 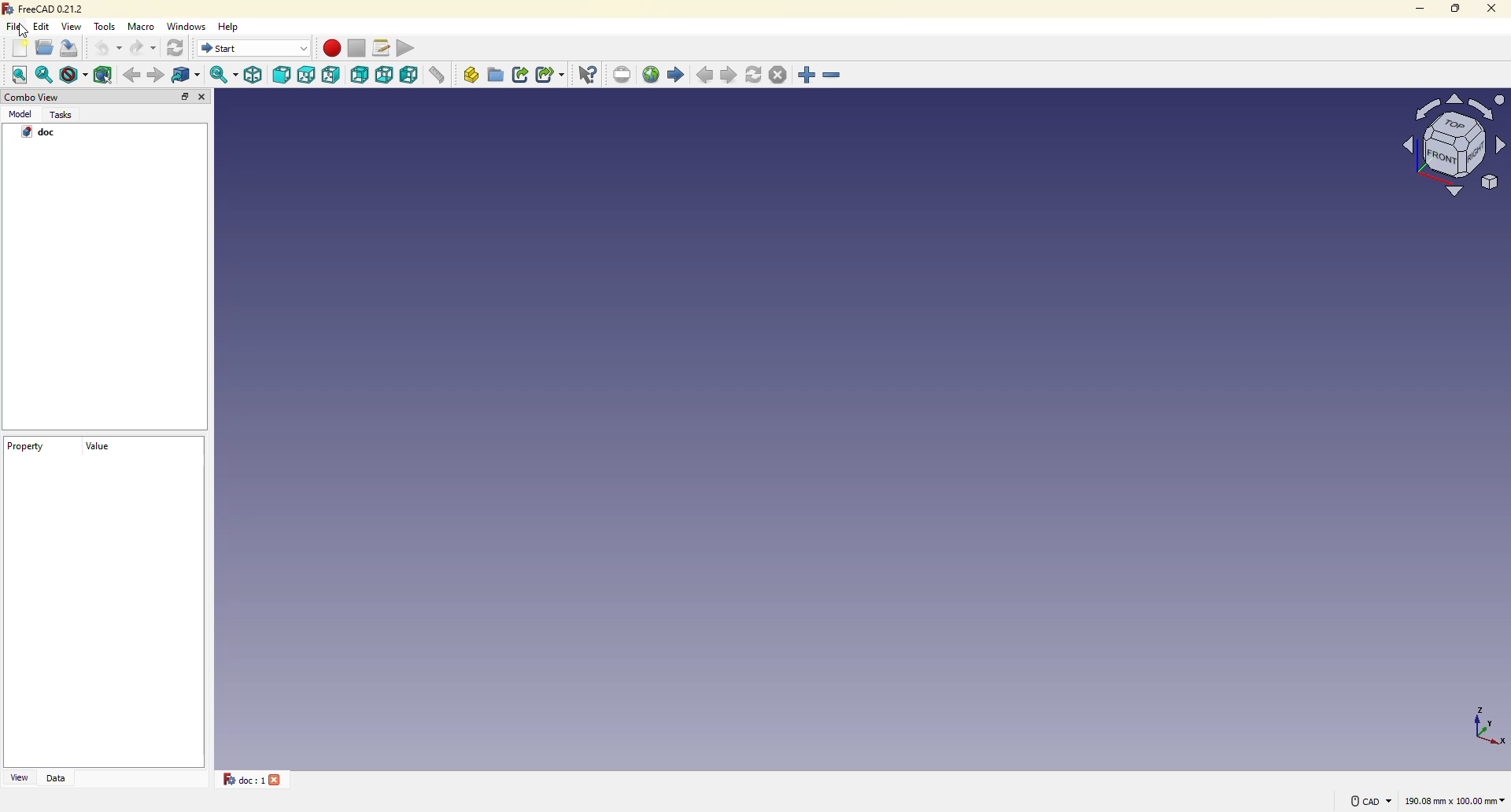 What do you see at coordinates (222, 75) in the screenshot?
I see `sync view` at bounding box center [222, 75].